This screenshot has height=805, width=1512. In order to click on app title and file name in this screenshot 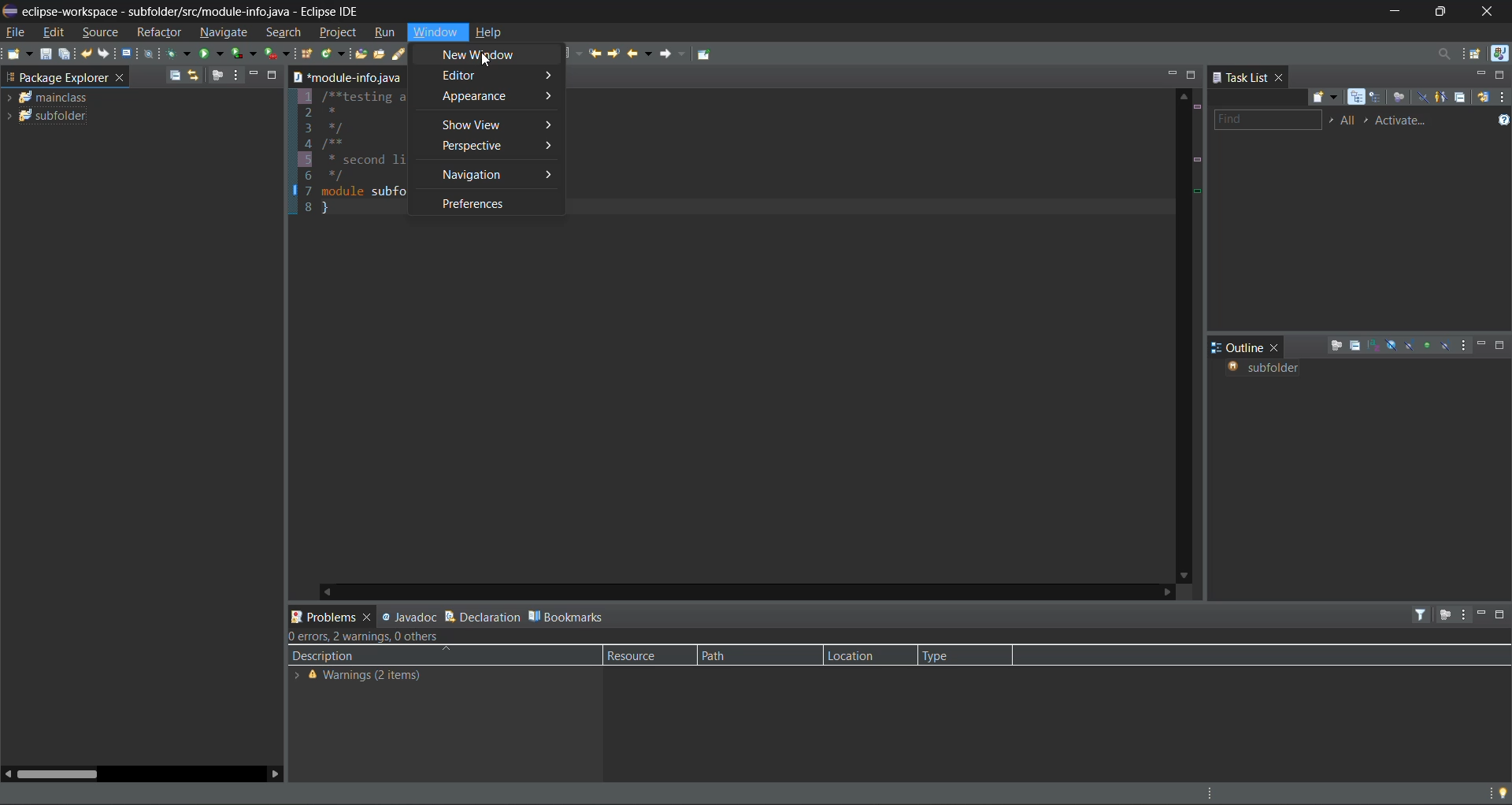, I will do `click(194, 12)`.